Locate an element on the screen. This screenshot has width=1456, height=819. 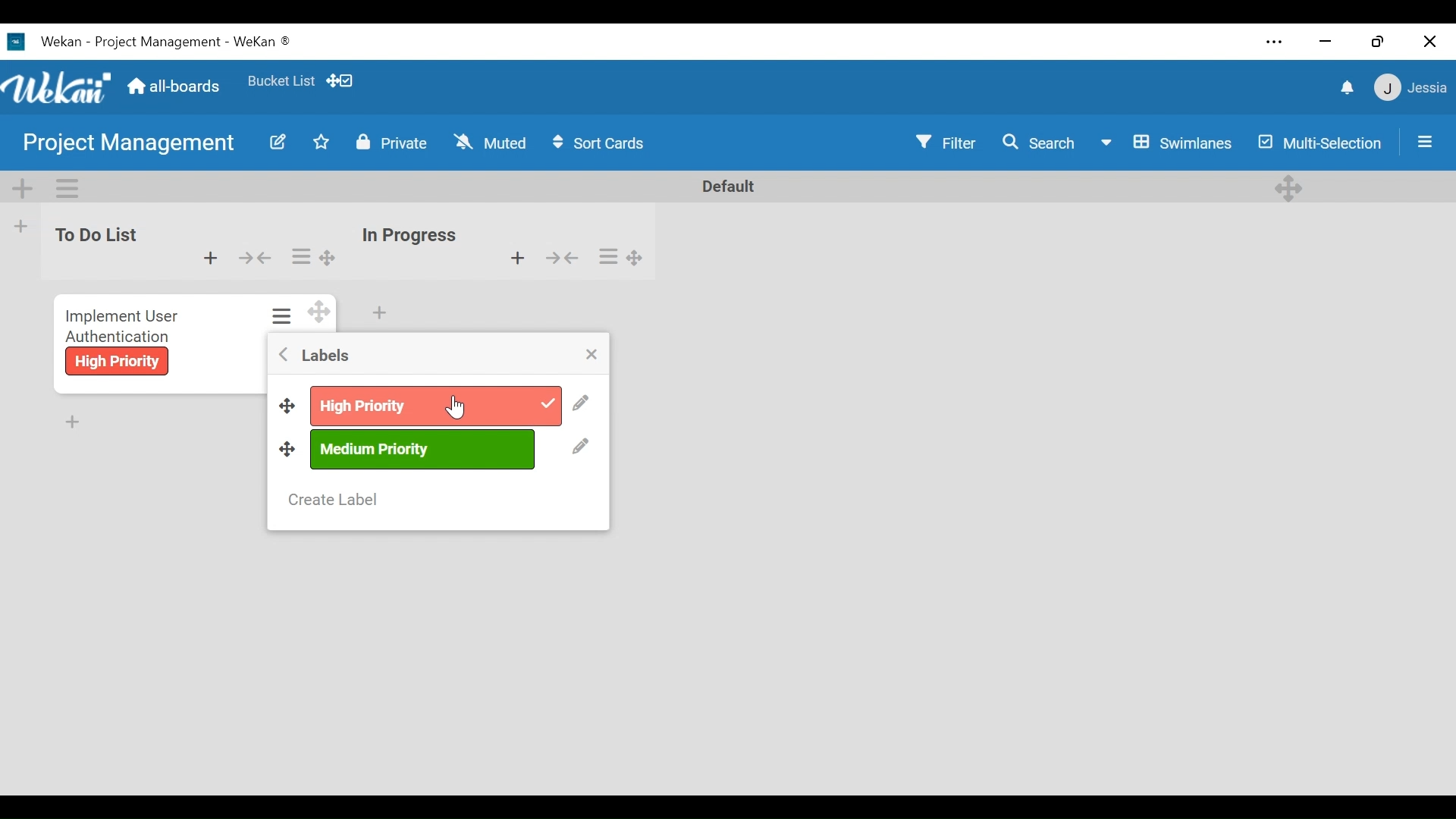
edit is located at coordinates (582, 407).